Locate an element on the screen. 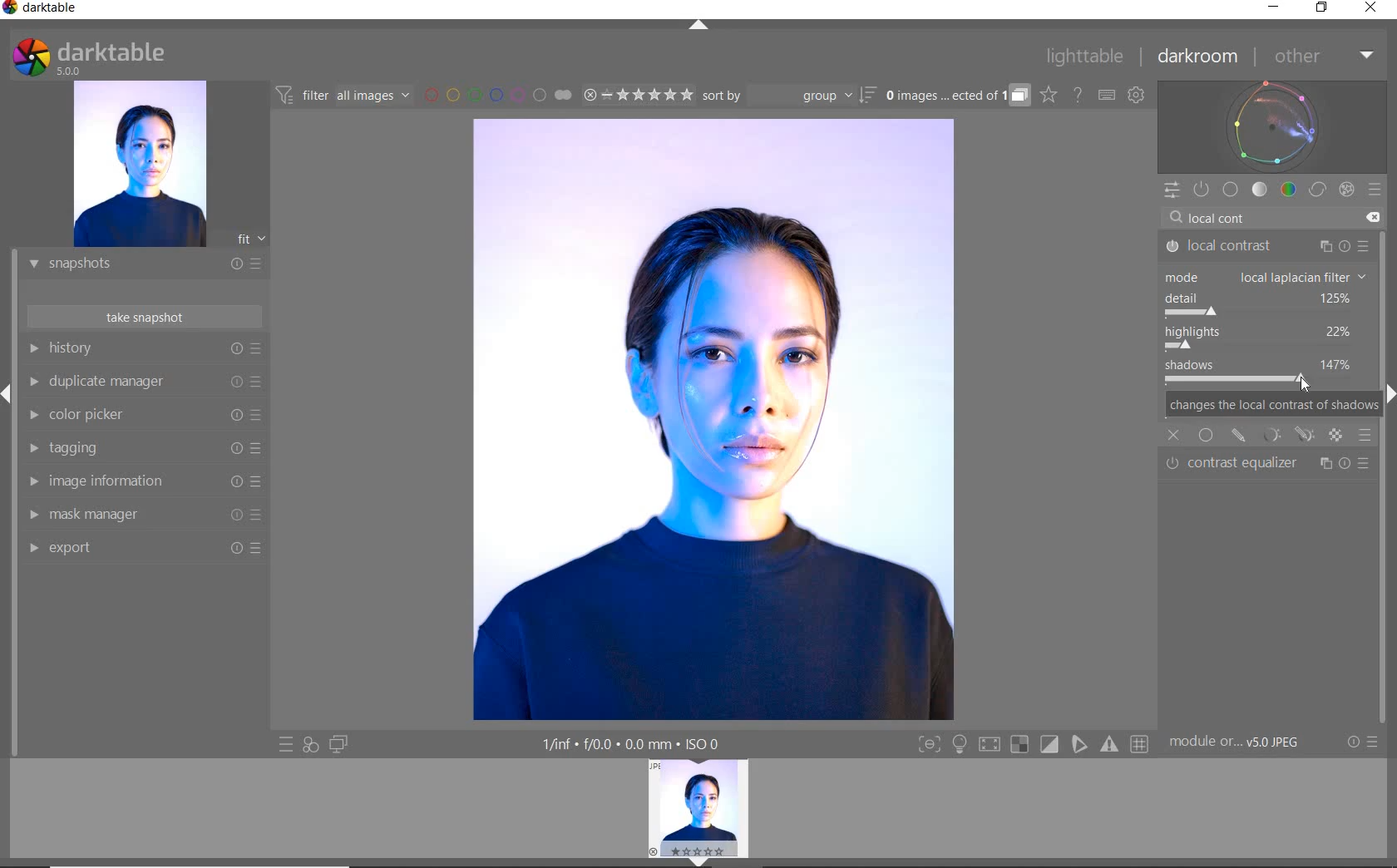 The width and height of the screenshot is (1397, 868). DARKROOM is located at coordinates (1198, 57).